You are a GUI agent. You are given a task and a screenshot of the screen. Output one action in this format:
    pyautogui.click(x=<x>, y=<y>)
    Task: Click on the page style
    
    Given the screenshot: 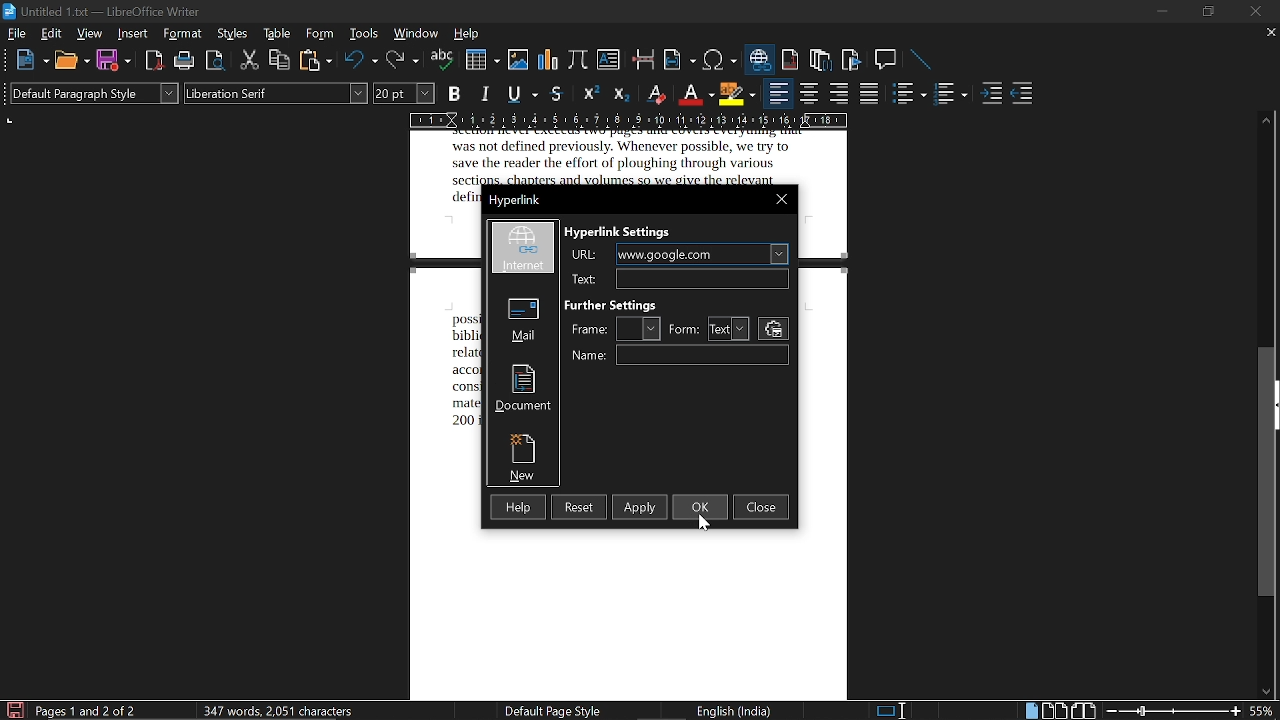 What is the action you would take?
    pyautogui.click(x=545, y=711)
    